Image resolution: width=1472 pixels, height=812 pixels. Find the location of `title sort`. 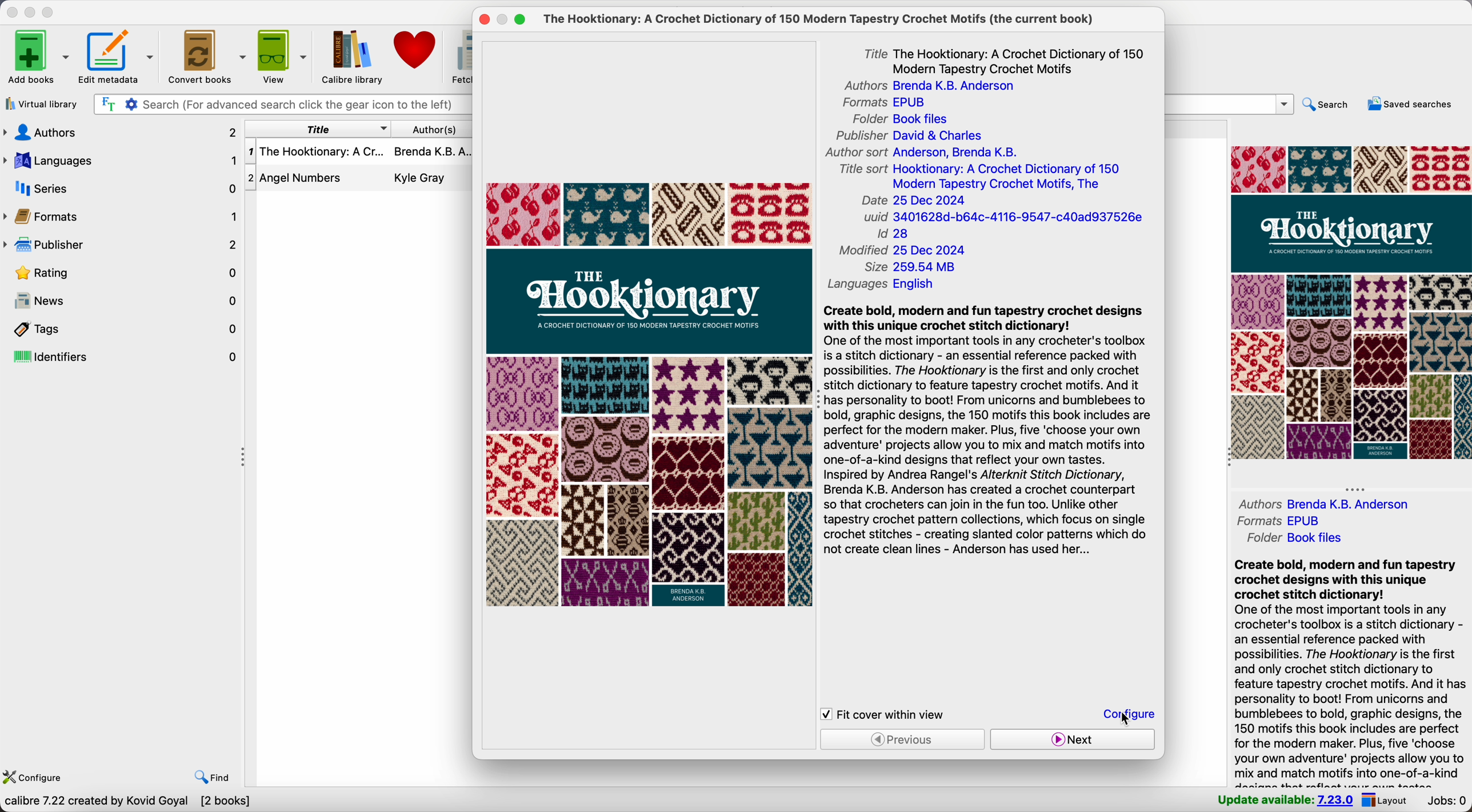

title sort is located at coordinates (982, 177).